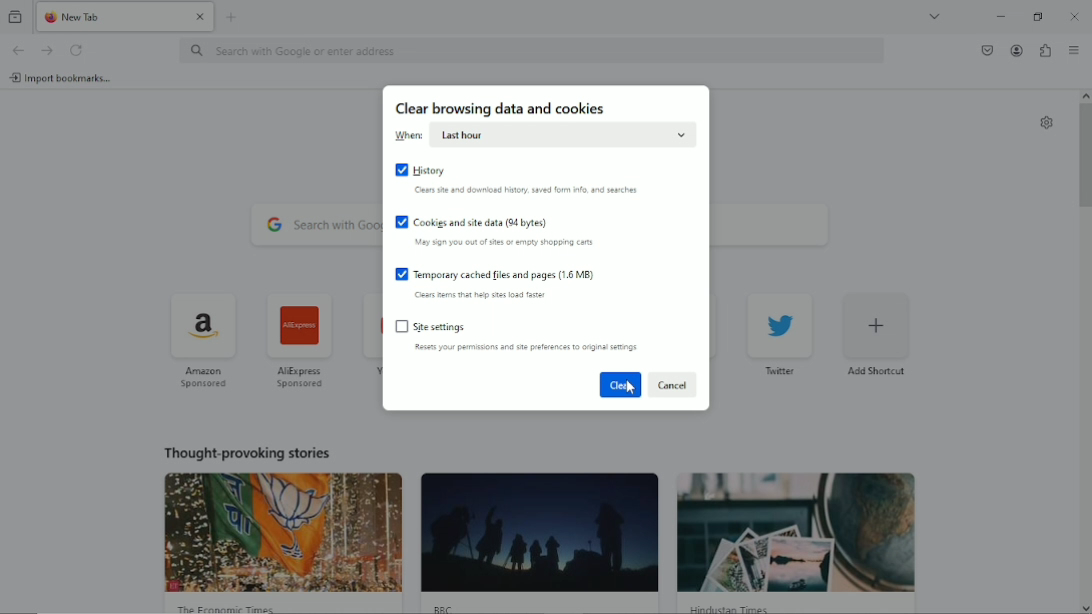 The width and height of the screenshot is (1092, 614). I want to click on image, so click(797, 532).